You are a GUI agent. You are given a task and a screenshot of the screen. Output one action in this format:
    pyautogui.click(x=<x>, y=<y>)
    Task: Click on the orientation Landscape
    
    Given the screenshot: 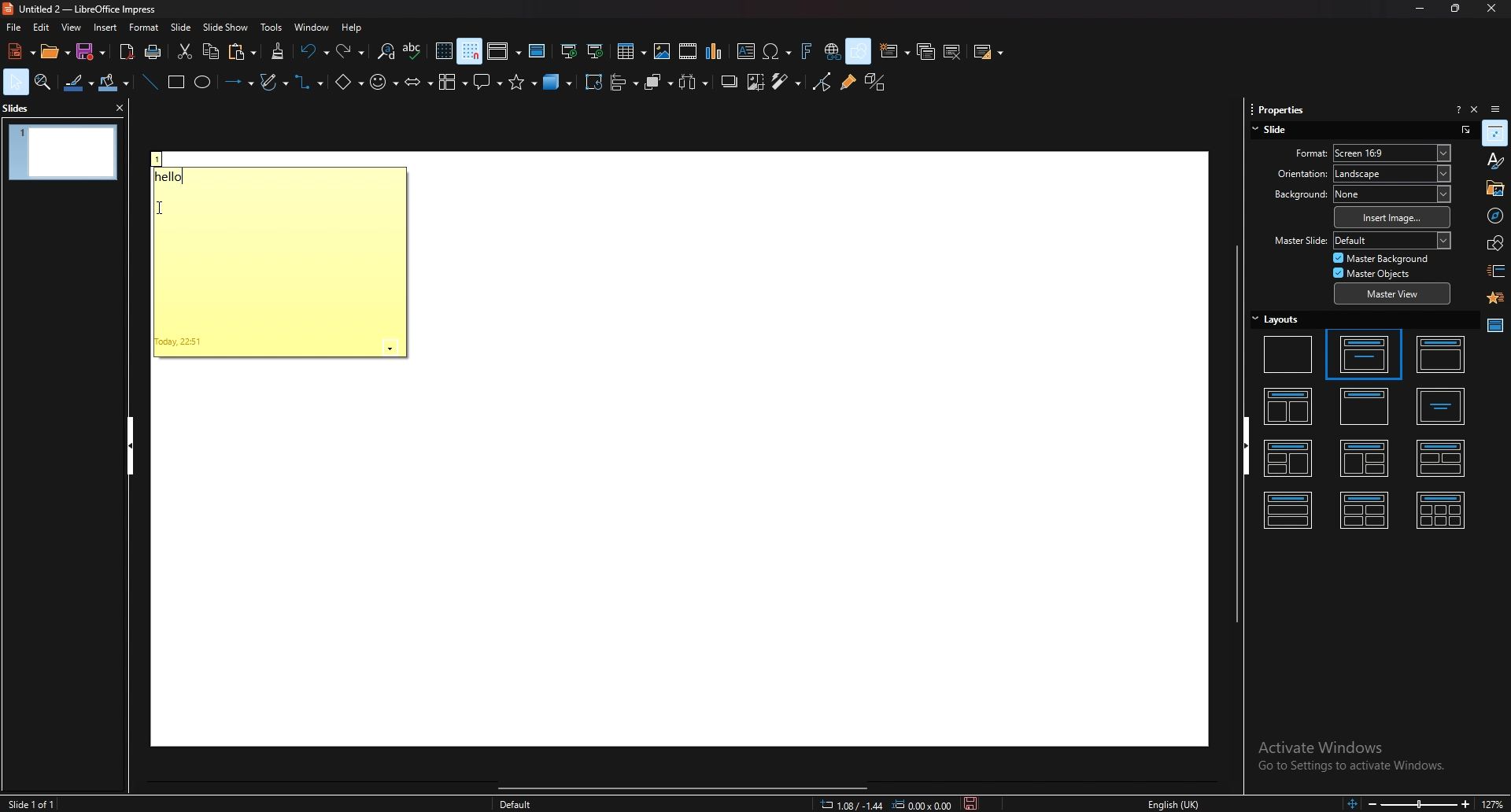 What is the action you would take?
    pyautogui.click(x=1392, y=173)
    